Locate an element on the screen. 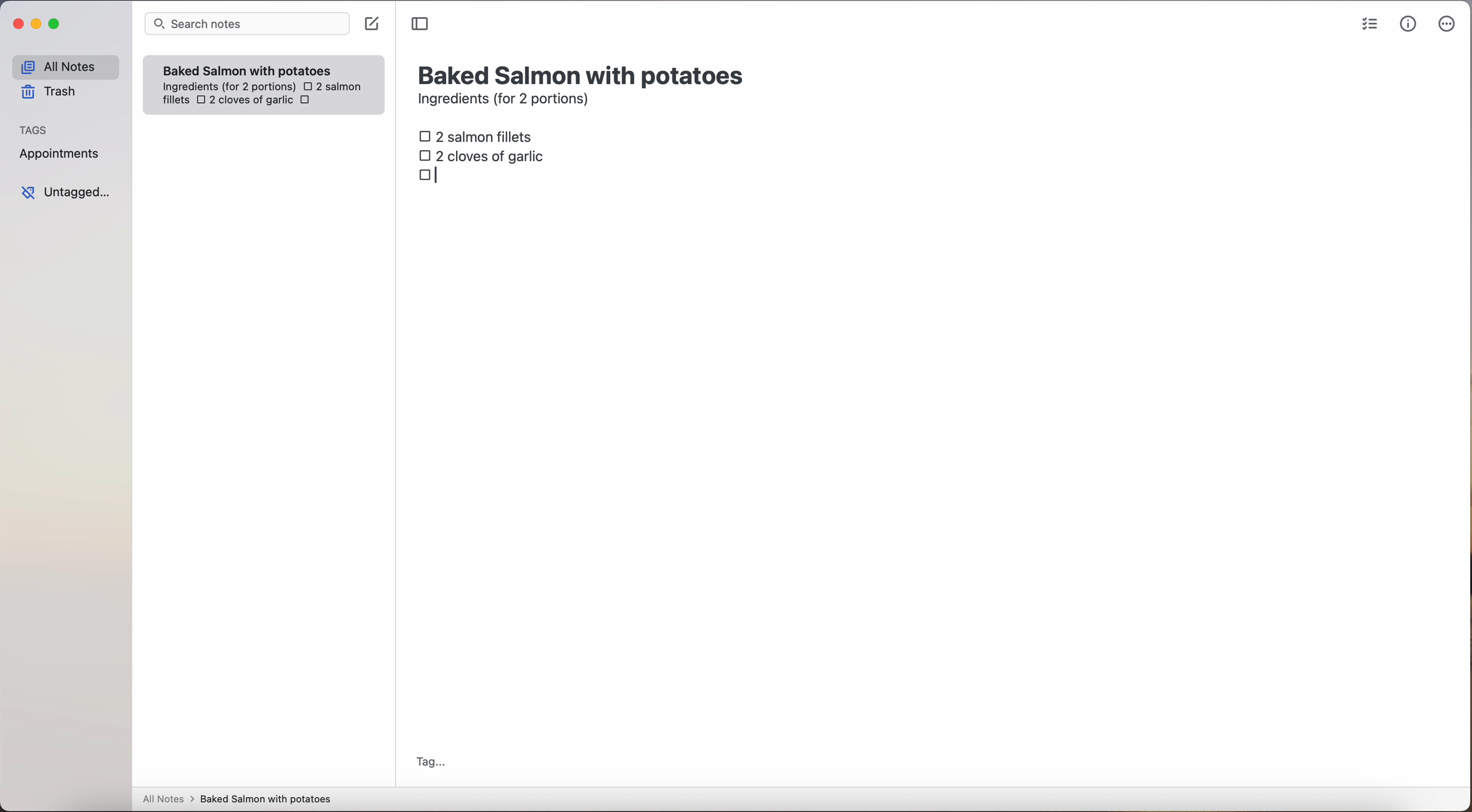  more options is located at coordinates (1449, 25).